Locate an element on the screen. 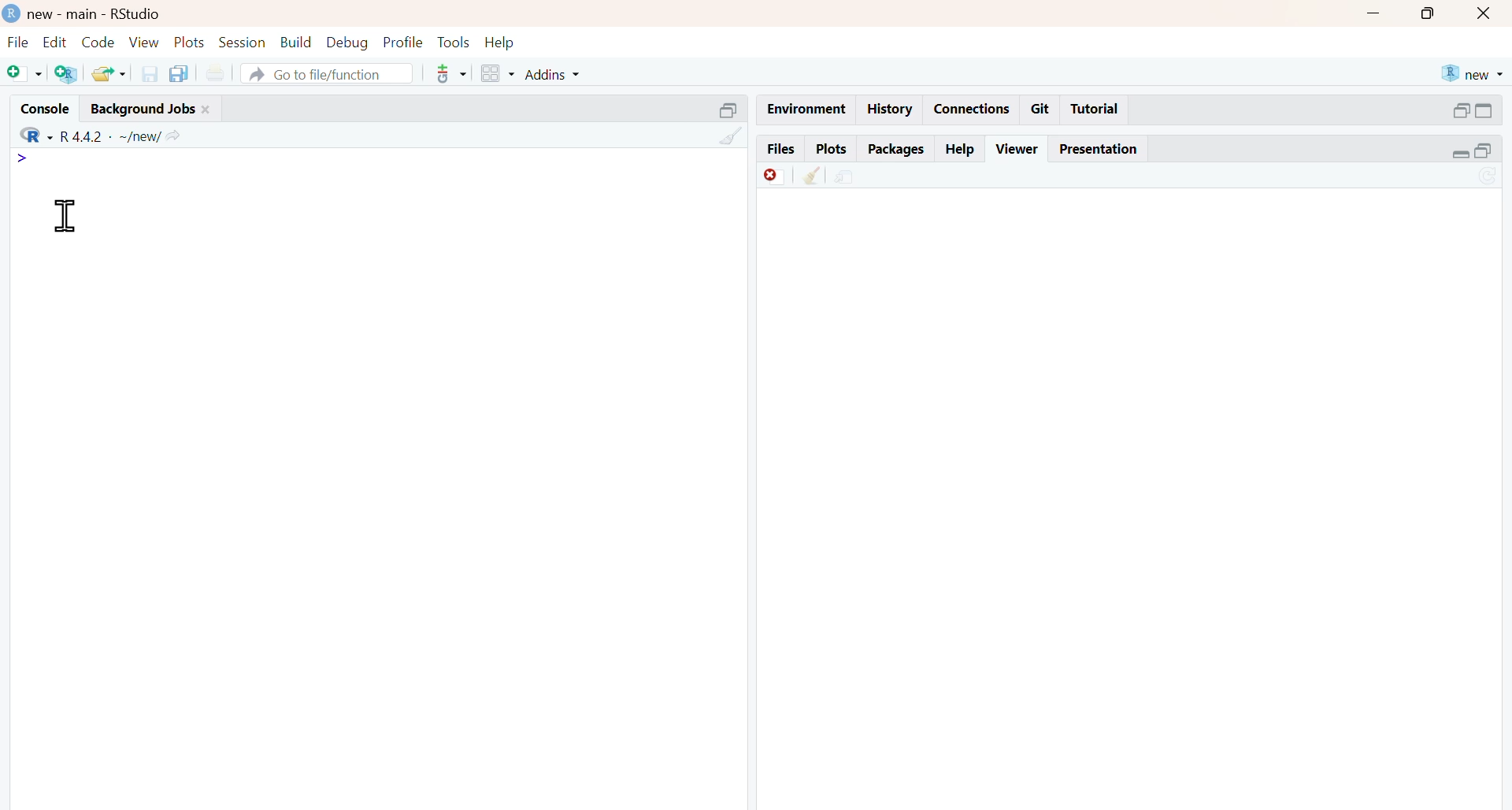  presentation is located at coordinates (1096, 149).